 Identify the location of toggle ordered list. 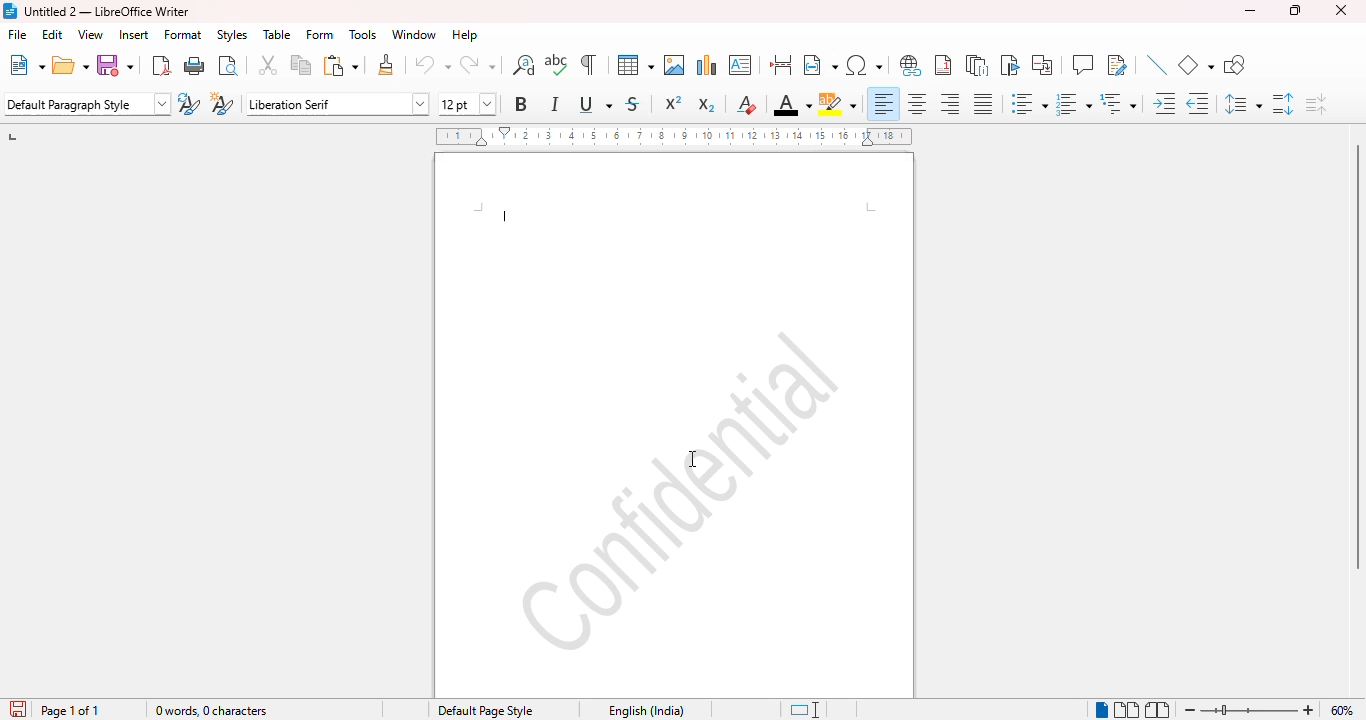
(1073, 104).